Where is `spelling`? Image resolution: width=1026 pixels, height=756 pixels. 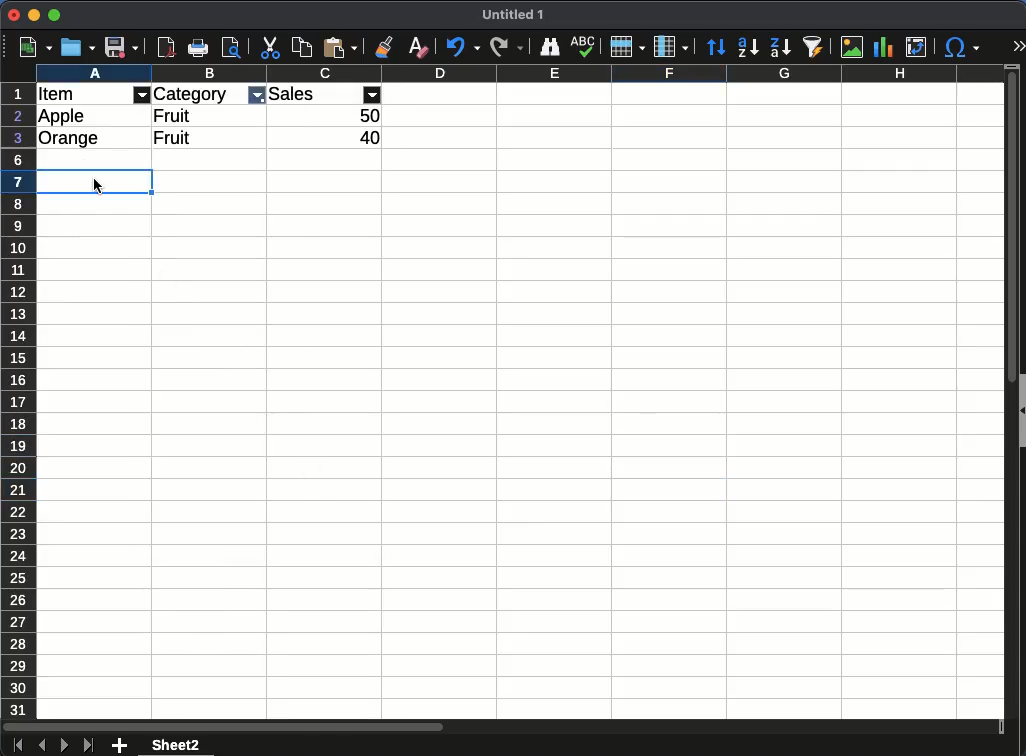
spelling is located at coordinates (584, 47).